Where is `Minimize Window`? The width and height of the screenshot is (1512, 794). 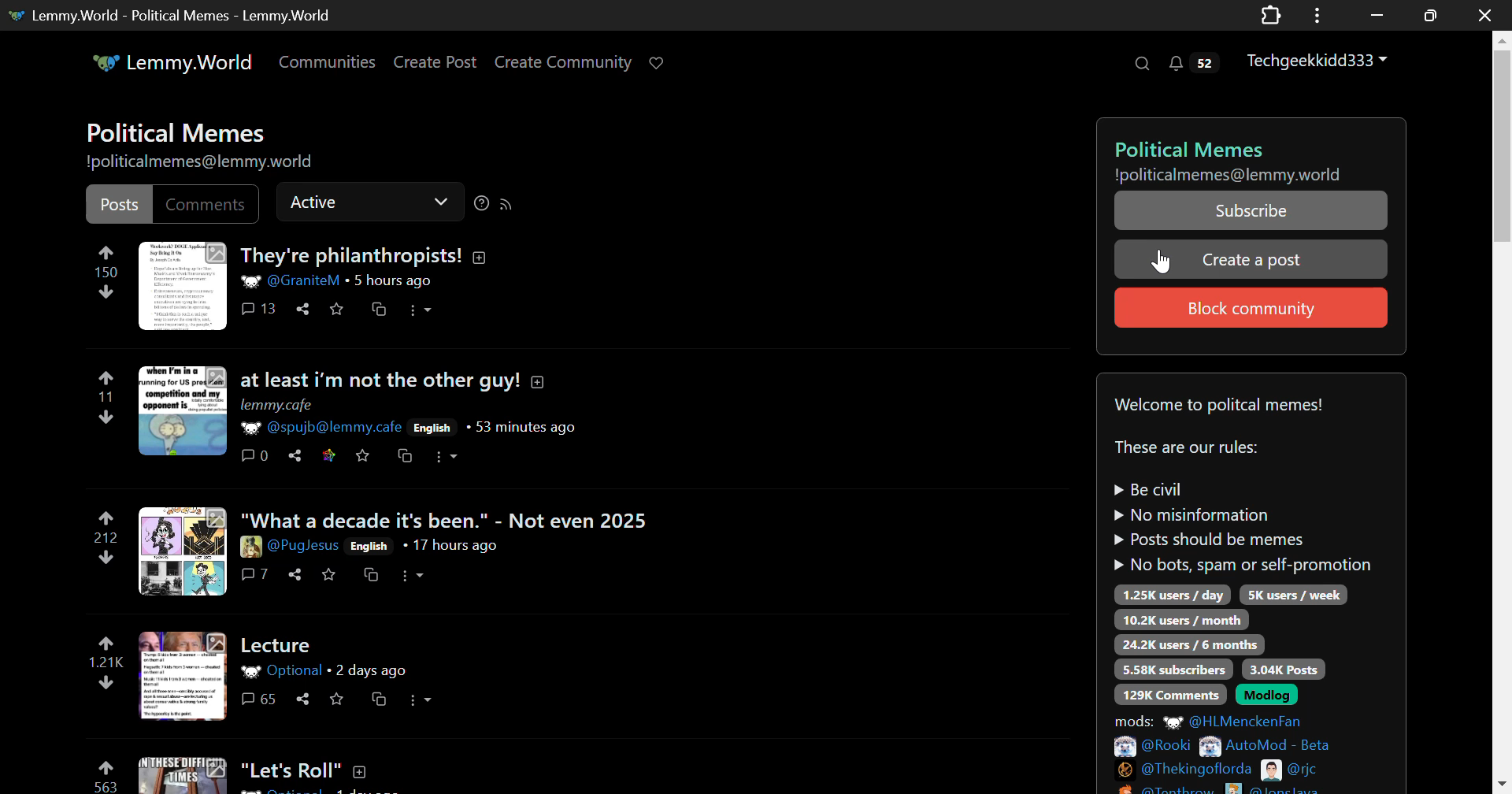
Minimize Window is located at coordinates (1428, 16).